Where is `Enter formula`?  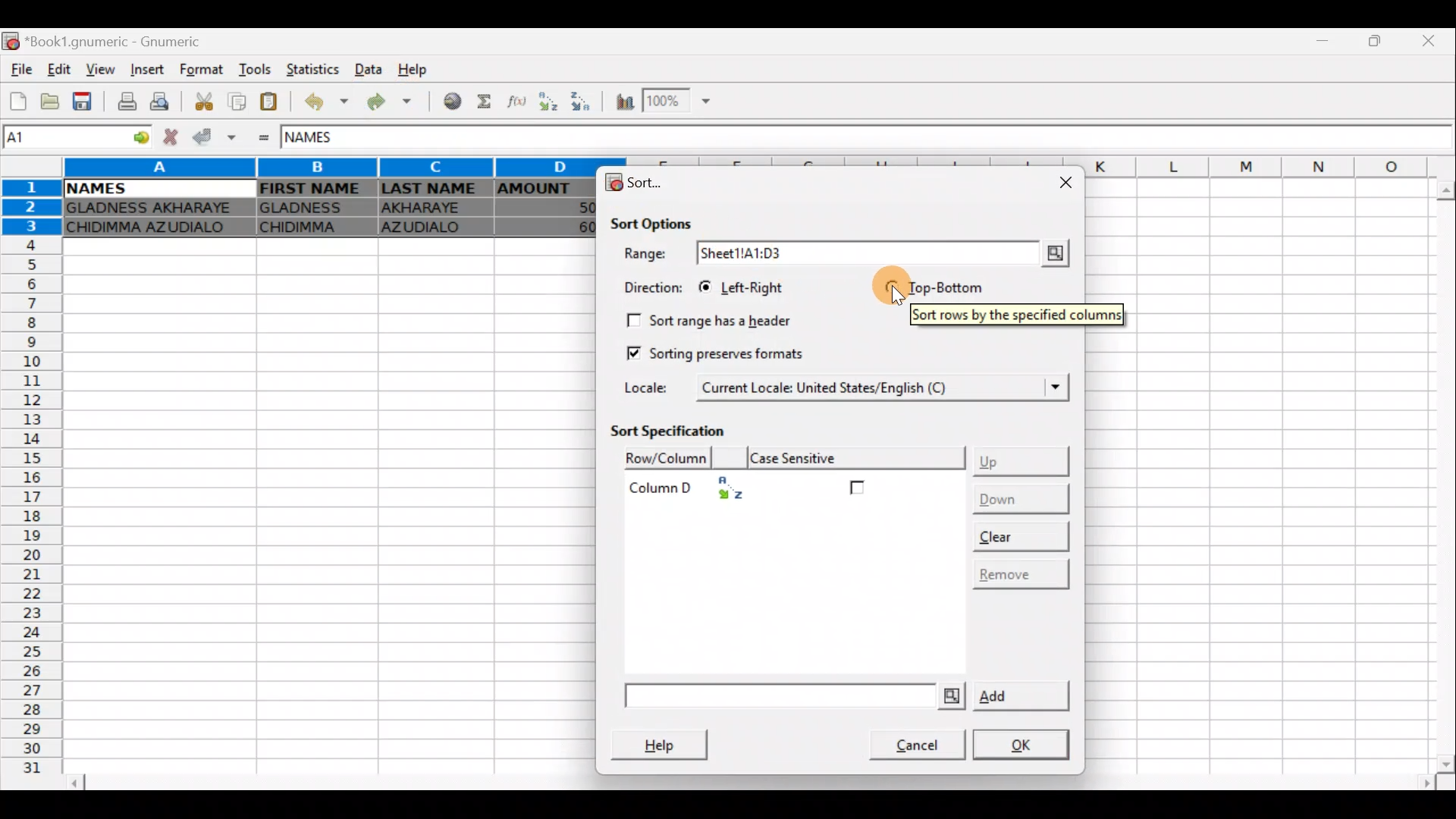 Enter formula is located at coordinates (265, 140).